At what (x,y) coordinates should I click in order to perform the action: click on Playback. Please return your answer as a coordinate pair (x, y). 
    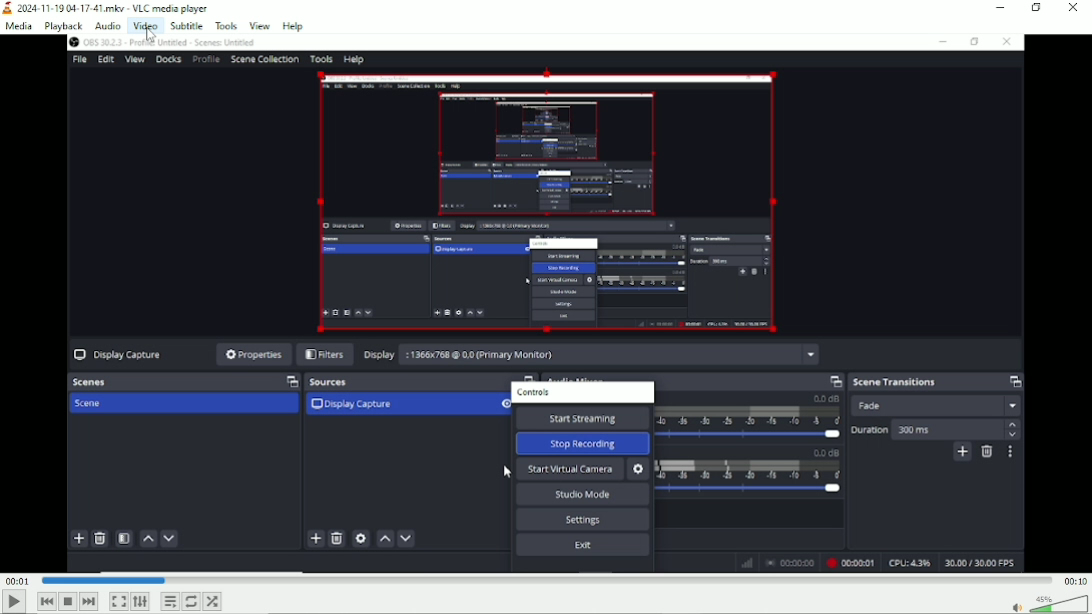
    Looking at the image, I should click on (63, 27).